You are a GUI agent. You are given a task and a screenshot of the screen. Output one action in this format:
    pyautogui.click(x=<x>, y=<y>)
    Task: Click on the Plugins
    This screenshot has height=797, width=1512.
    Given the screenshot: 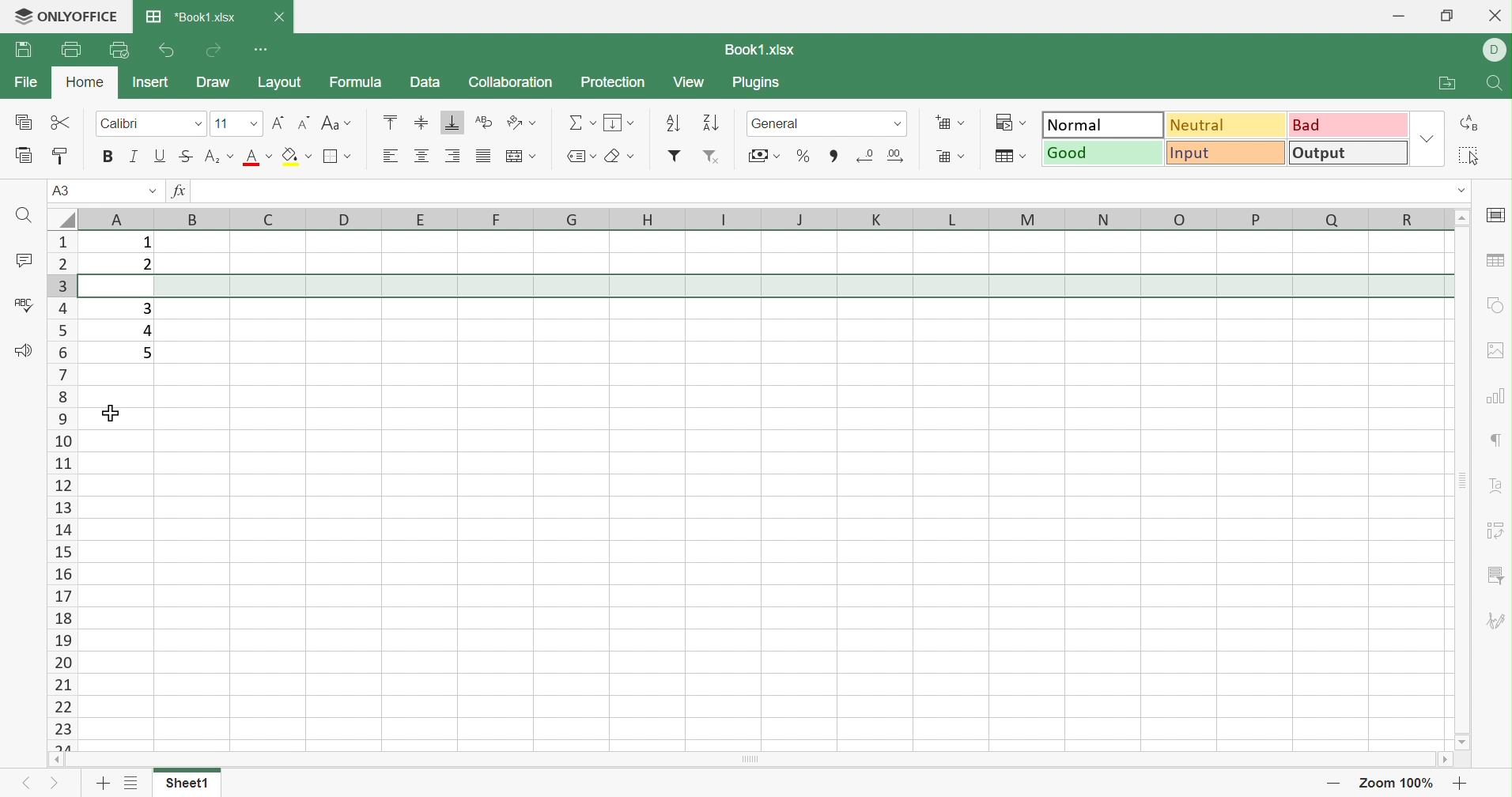 What is the action you would take?
    pyautogui.click(x=759, y=85)
    